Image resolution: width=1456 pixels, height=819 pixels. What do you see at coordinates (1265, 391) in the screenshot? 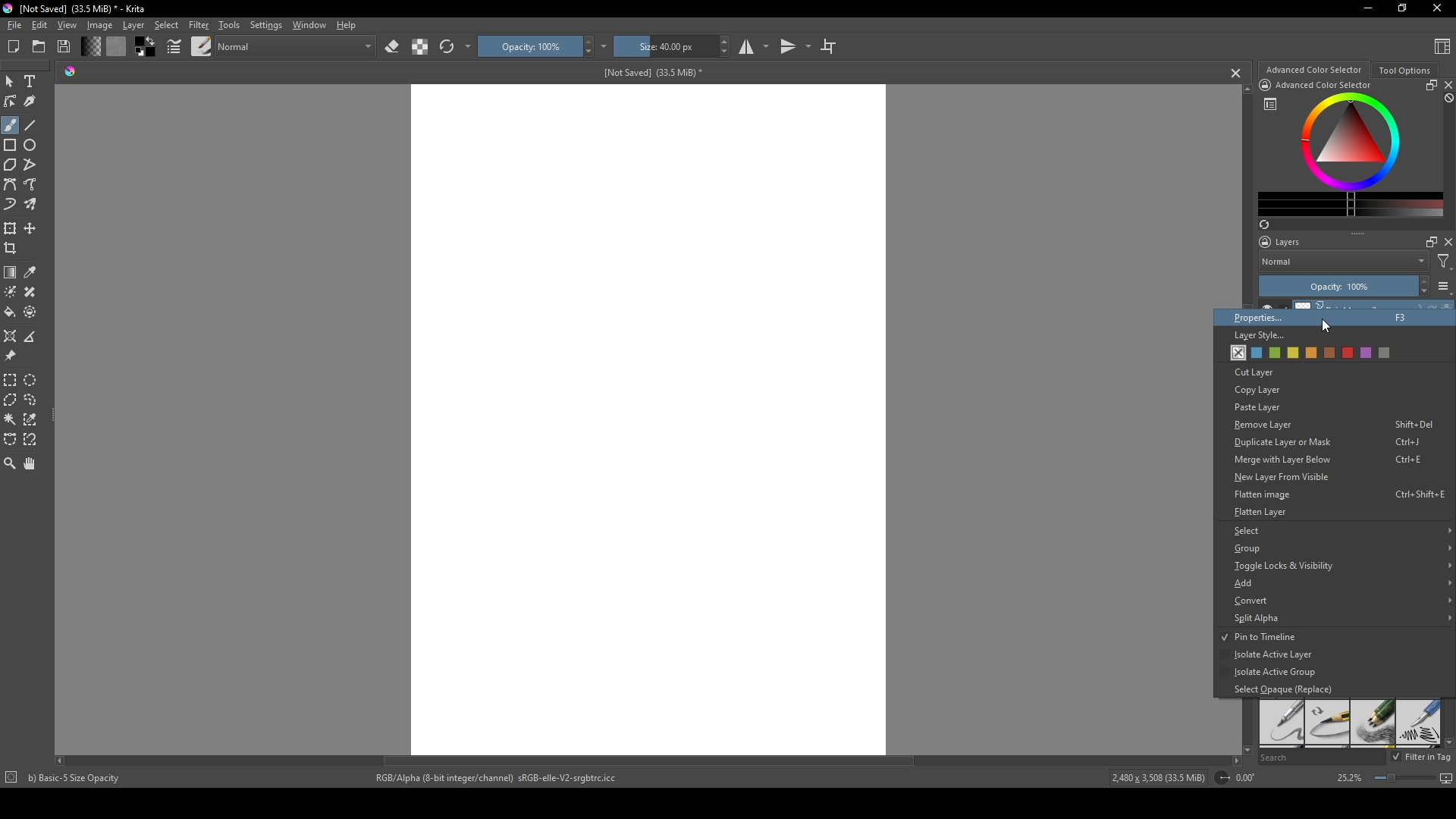
I see `Copy Layer` at bounding box center [1265, 391].